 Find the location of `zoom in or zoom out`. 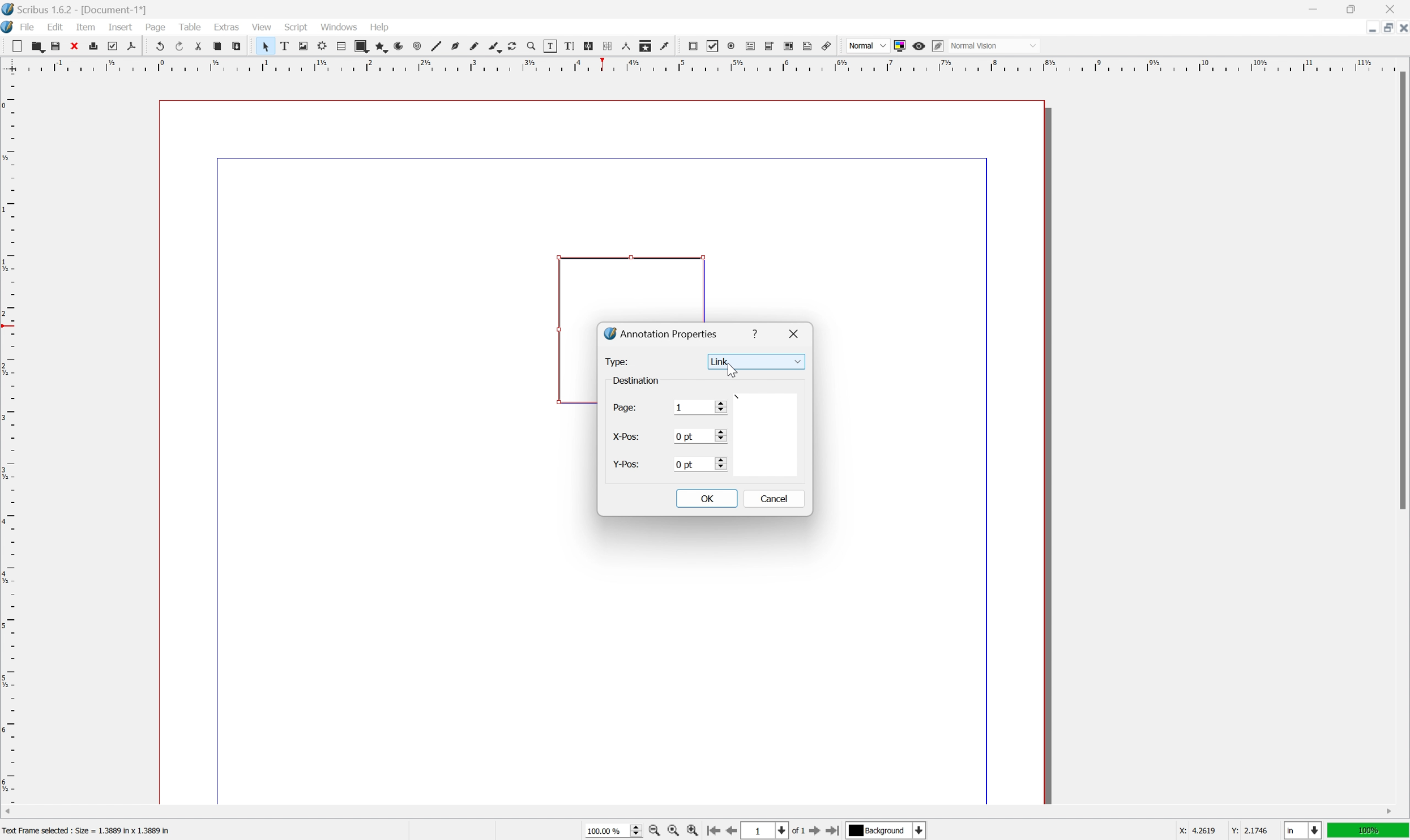

zoom in or zoom out is located at coordinates (532, 46).